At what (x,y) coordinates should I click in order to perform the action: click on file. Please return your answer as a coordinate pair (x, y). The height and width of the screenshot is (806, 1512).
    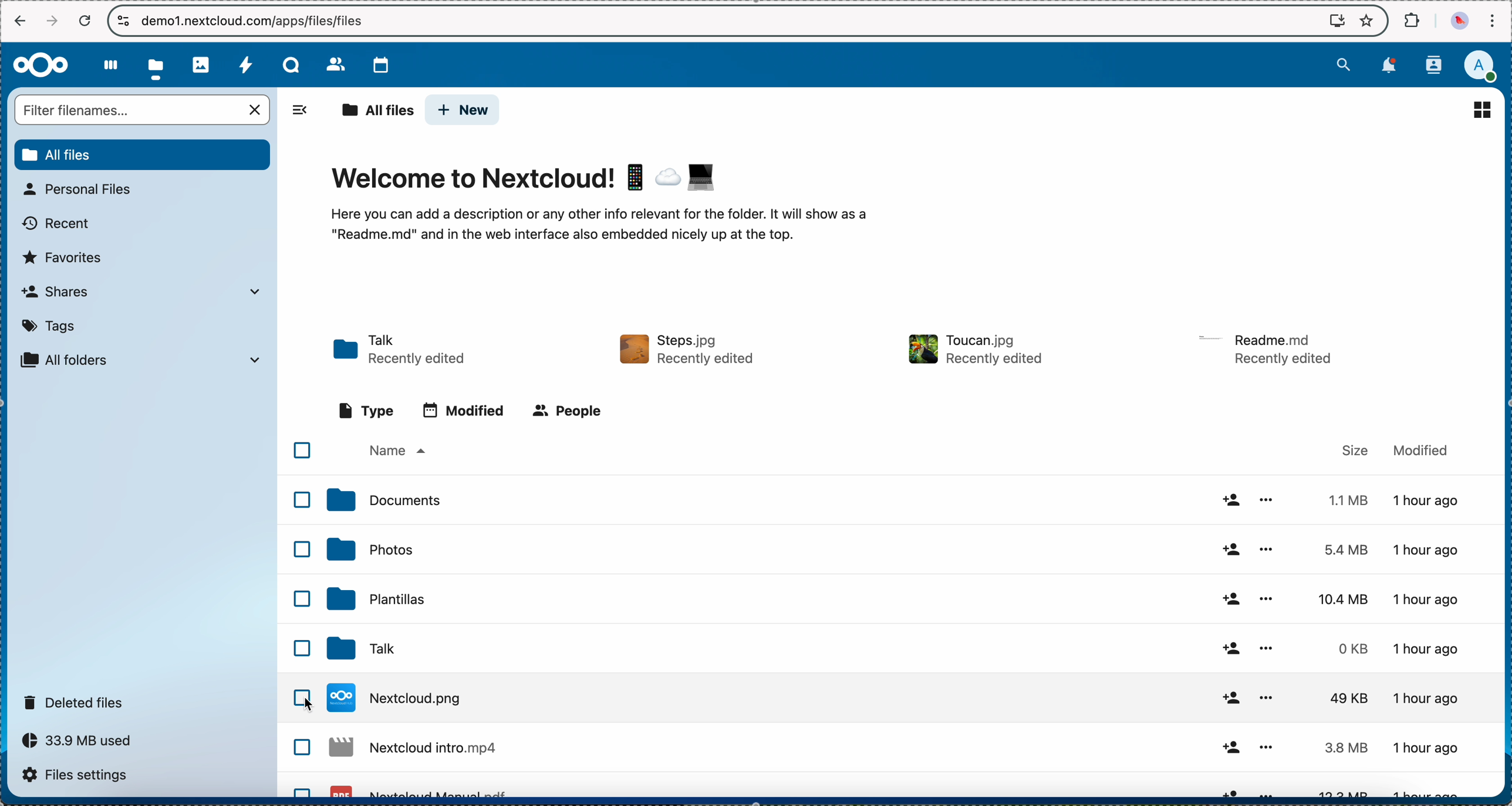
    Looking at the image, I should click on (689, 350).